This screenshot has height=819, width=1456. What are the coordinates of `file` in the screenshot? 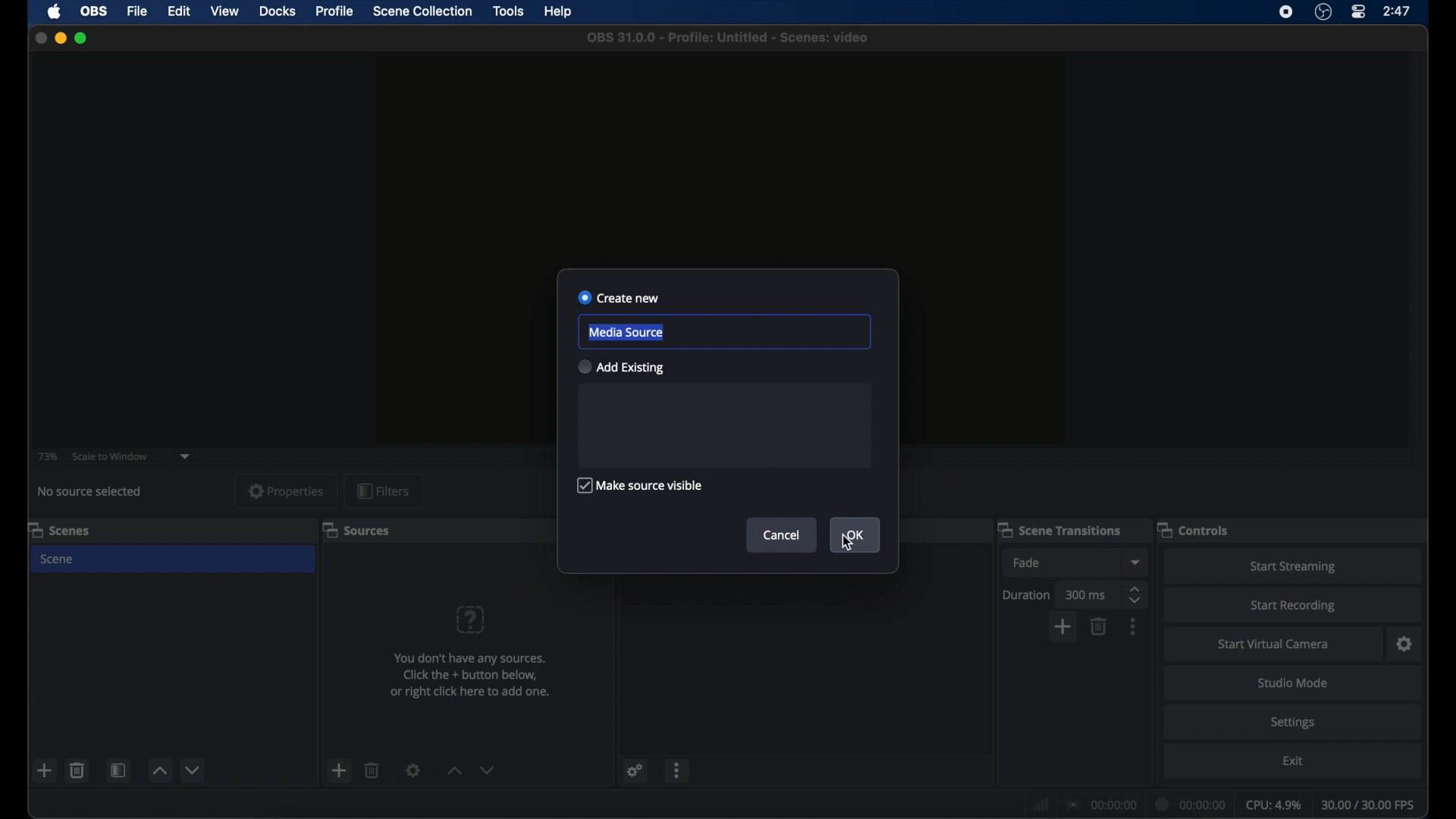 It's located at (138, 11).